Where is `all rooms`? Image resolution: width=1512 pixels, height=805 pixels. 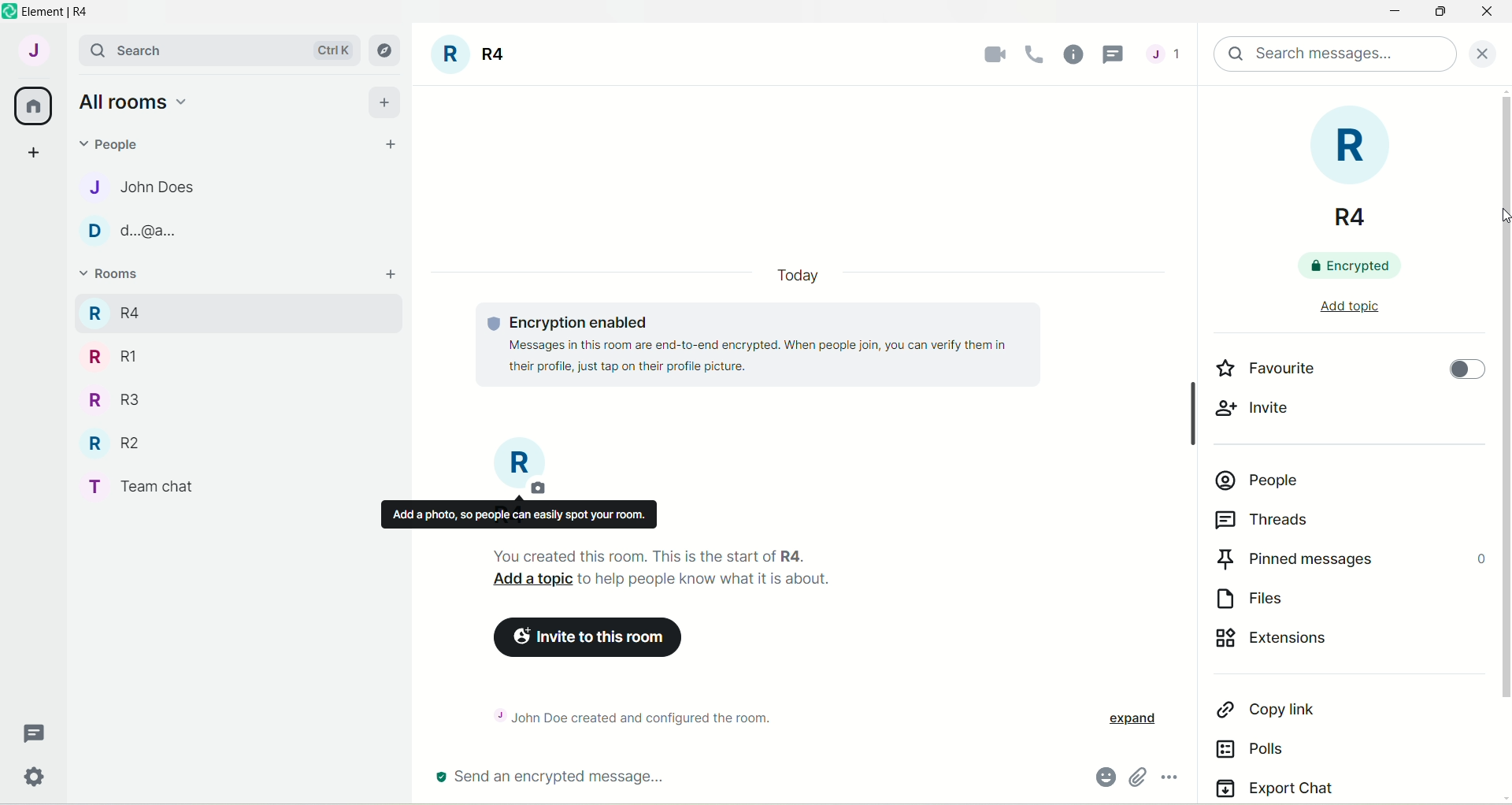
all rooms is located at coordinates (132, 101).